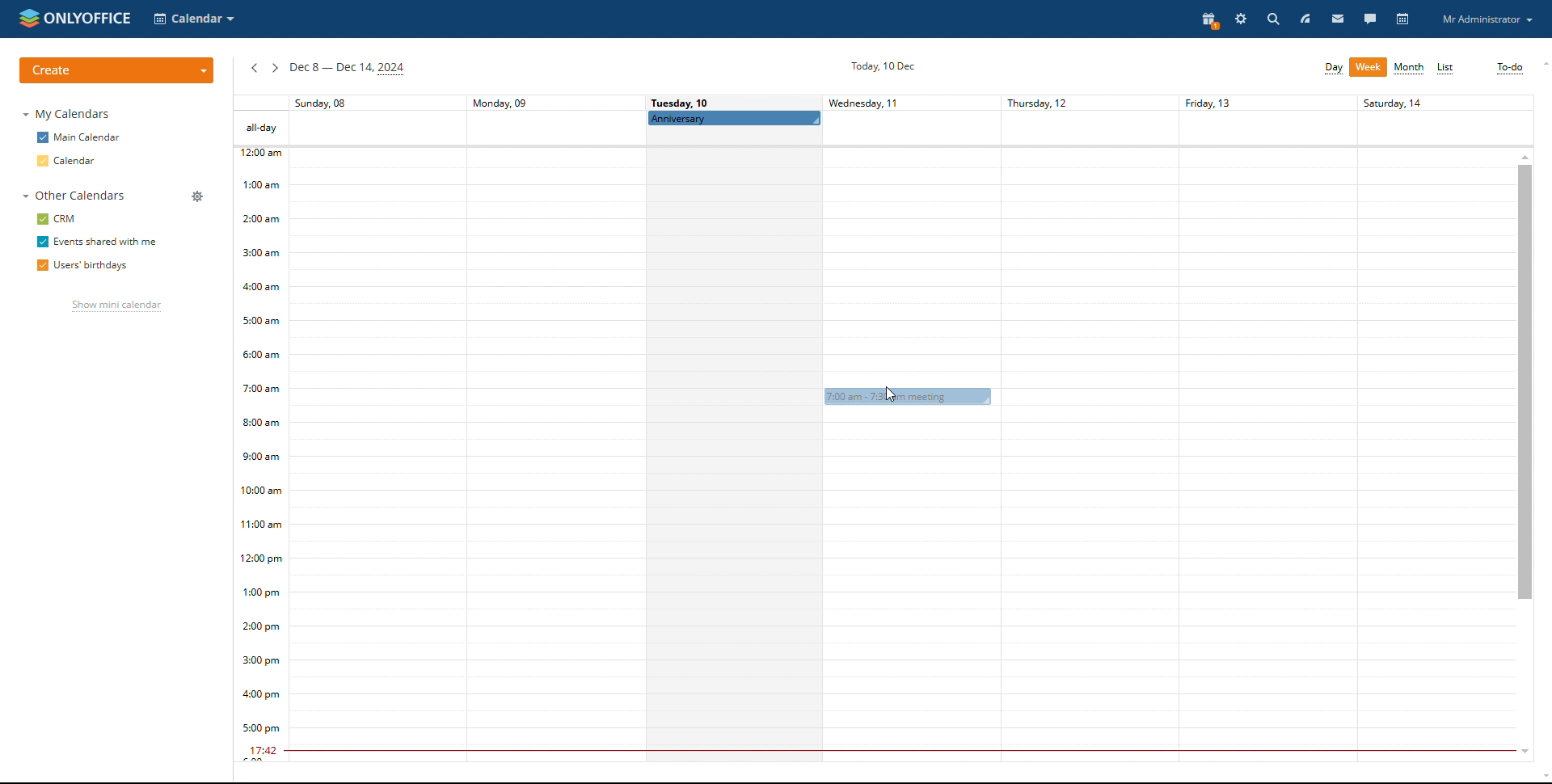 This screenshot has width=1552, height=784. Describe the element at coordinates (1272, 19) in the screenshot. I see `search` at that location.